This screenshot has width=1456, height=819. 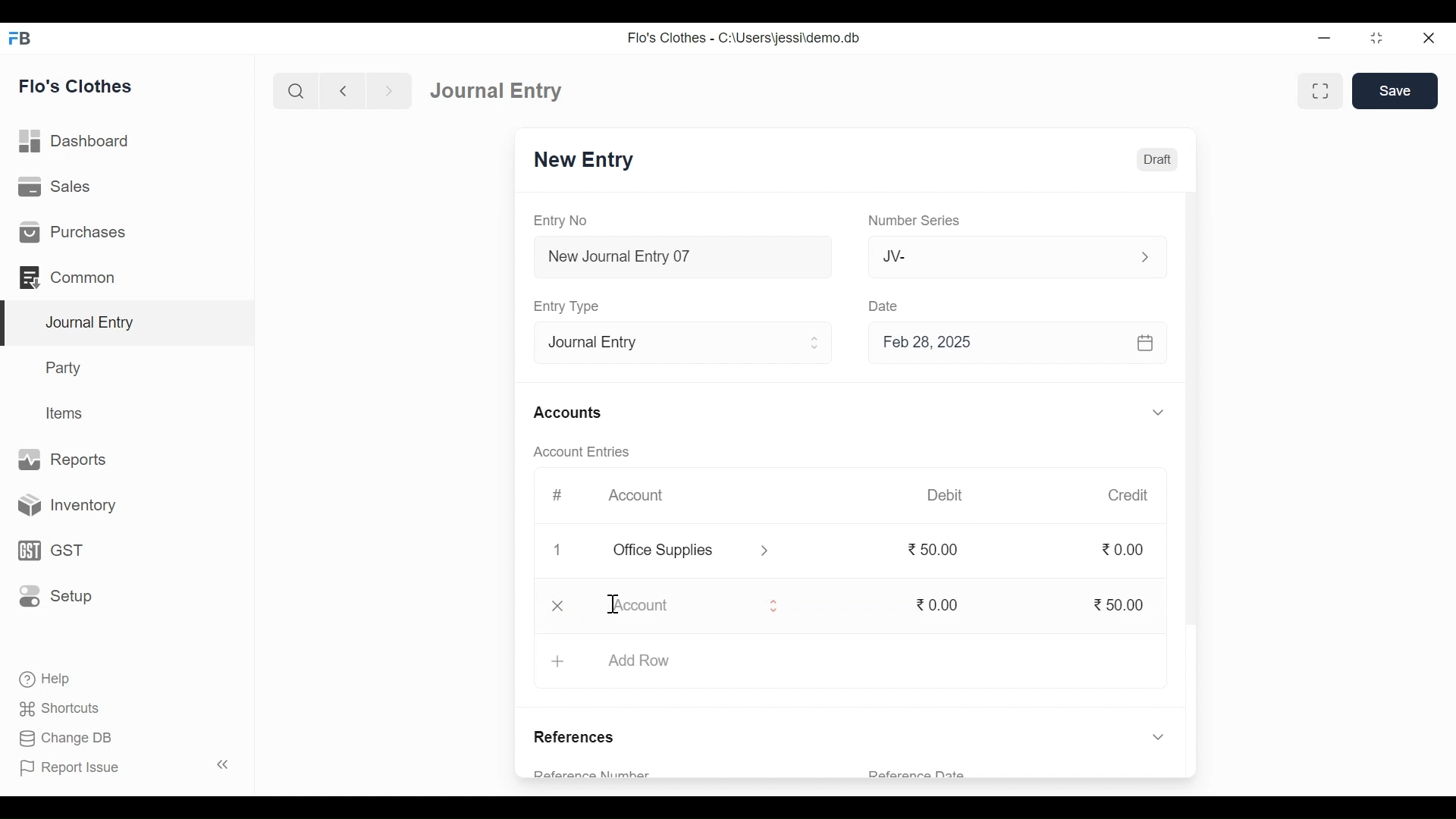 What do you see at coordinates (915, 221) in the screenshot?
I see `Number Series` at bounding box center [915, 221].